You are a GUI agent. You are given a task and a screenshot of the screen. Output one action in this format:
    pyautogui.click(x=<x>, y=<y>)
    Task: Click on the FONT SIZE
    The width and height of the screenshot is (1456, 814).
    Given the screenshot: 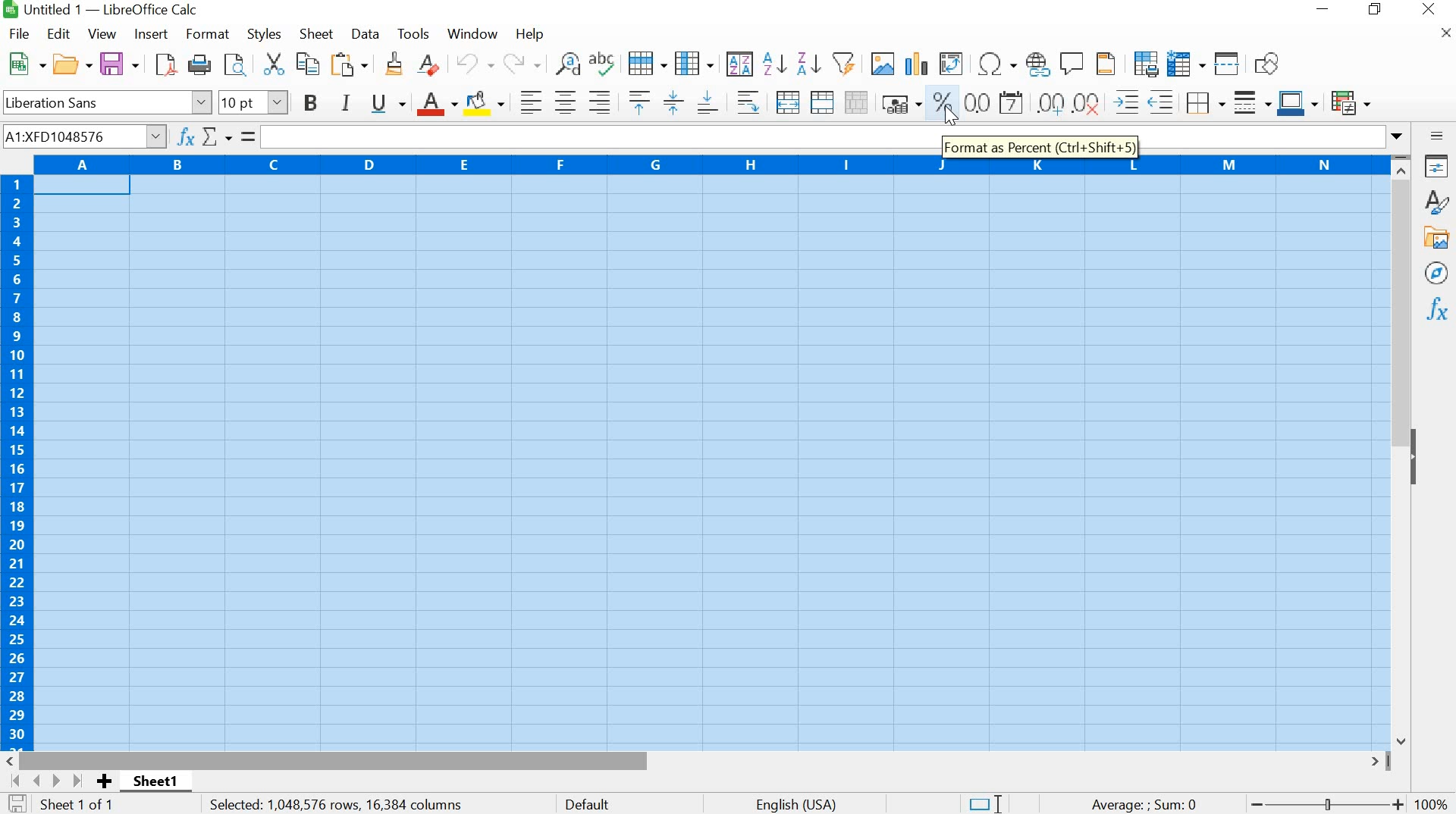 What is the action you would take?
    pyautogui.click(x=256, y=103)
    